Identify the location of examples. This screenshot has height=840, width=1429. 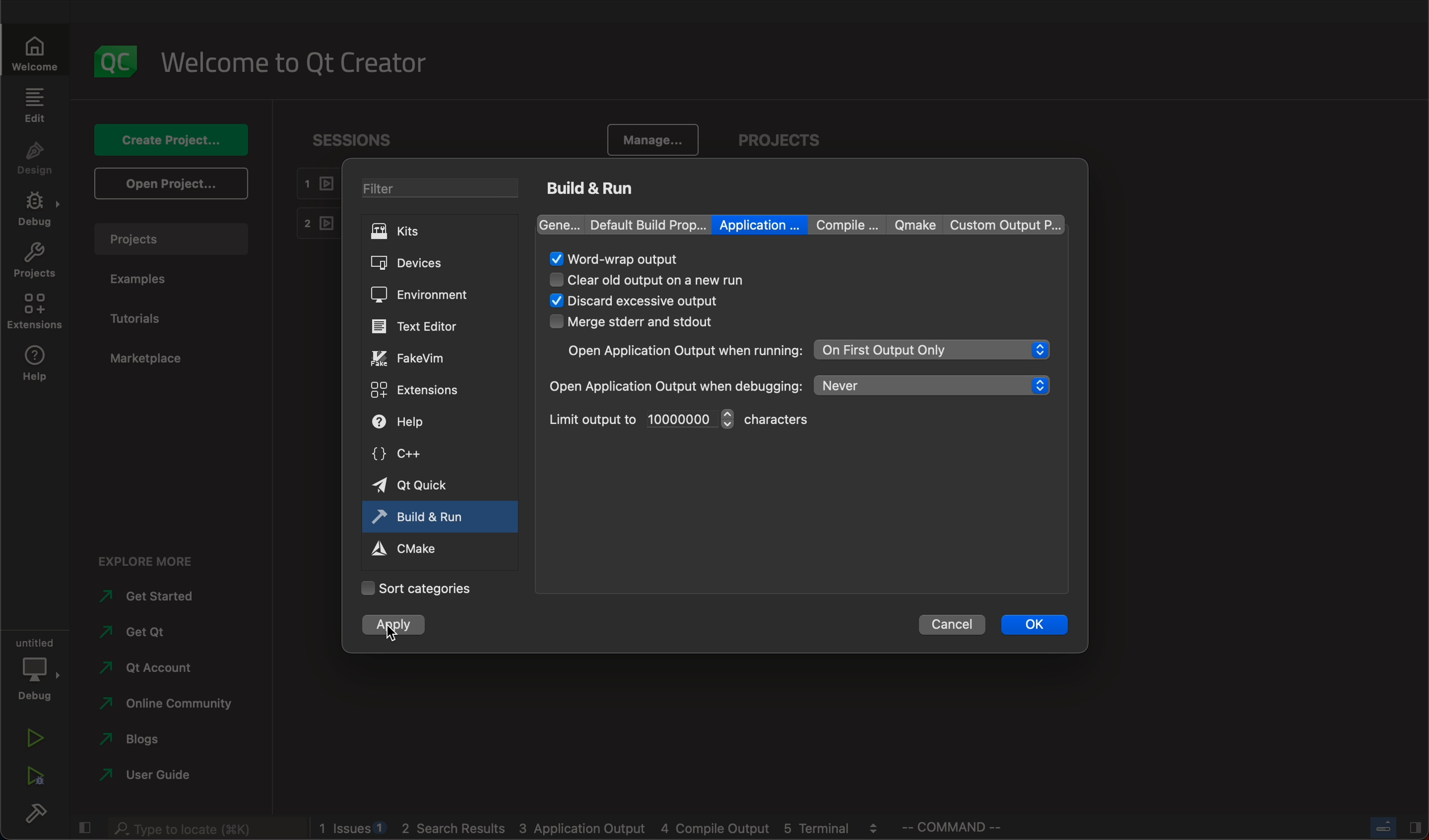
(139, 277).